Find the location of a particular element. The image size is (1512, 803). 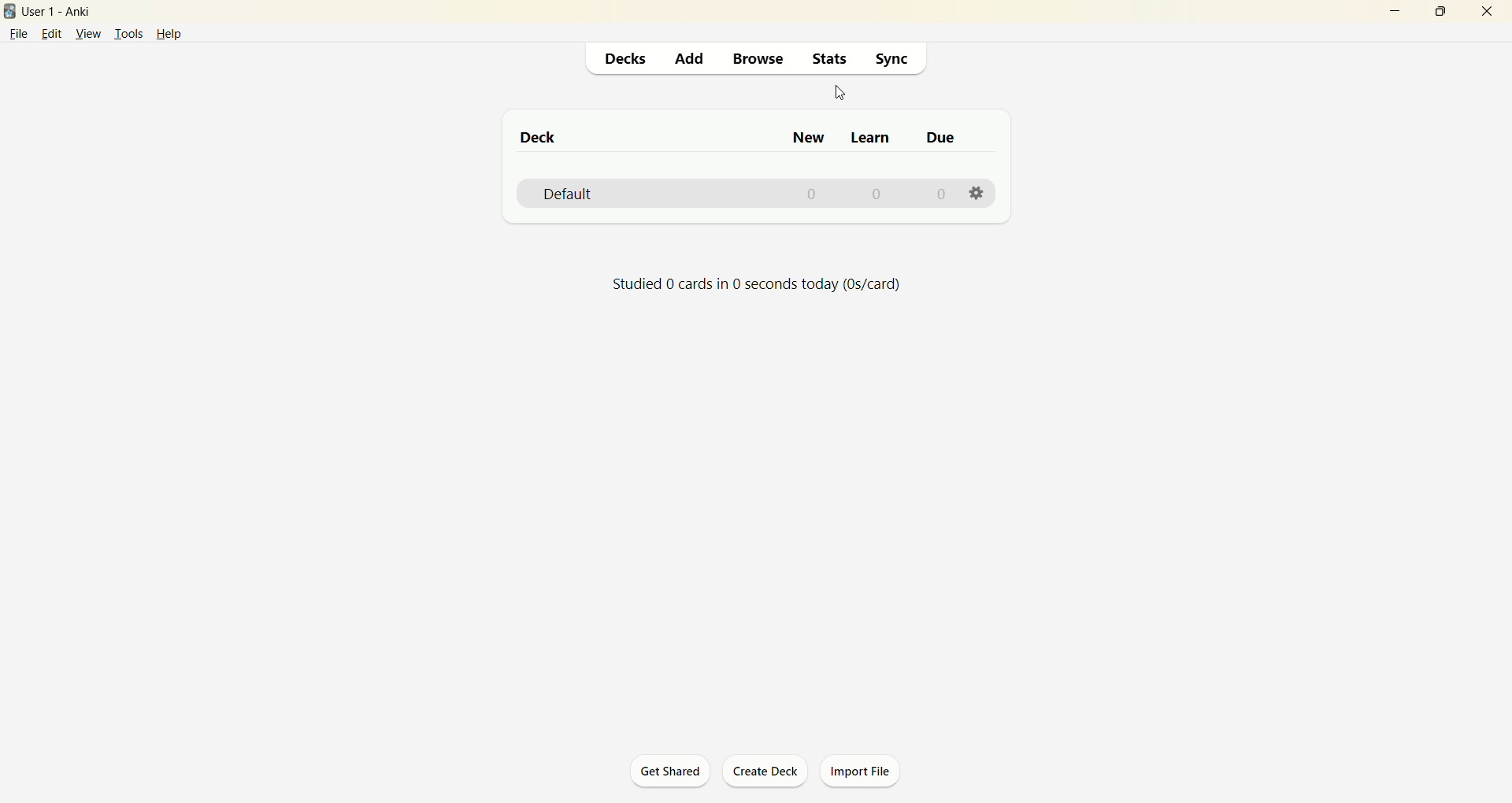

logo is located at coordinates (10, 12).